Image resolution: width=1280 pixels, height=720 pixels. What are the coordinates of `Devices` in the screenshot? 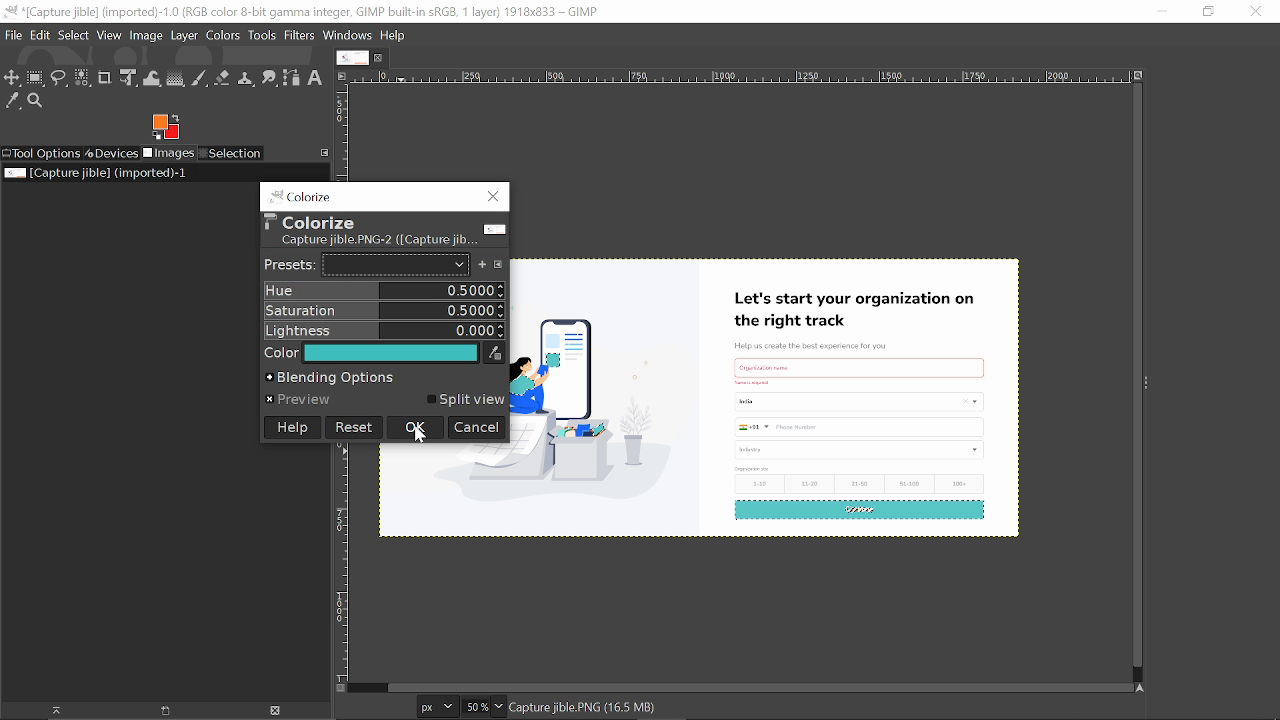 It's located at (111, 154).